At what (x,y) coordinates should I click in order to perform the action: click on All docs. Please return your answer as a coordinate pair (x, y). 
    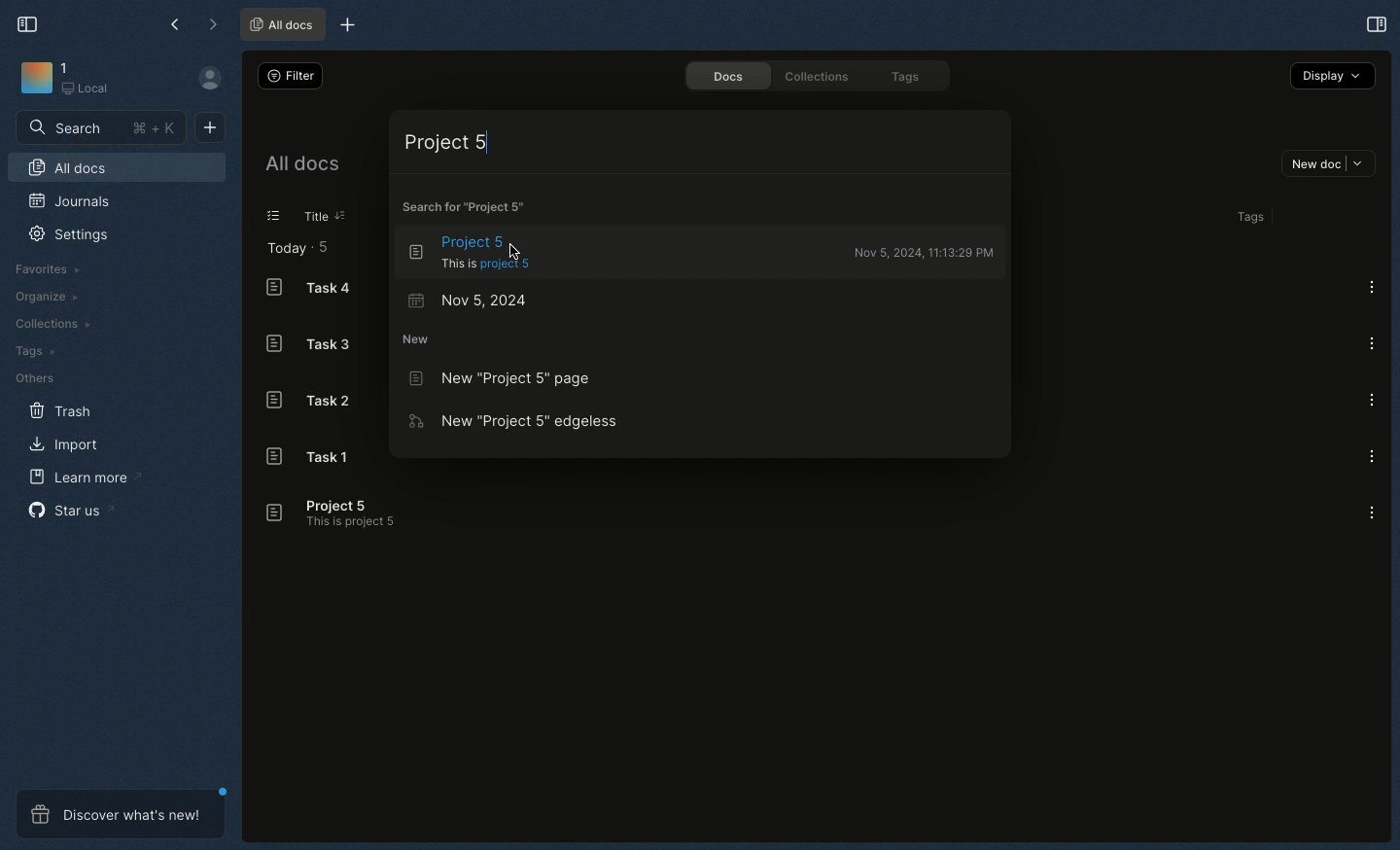
    Looking at the image, I should click on (74, 165).